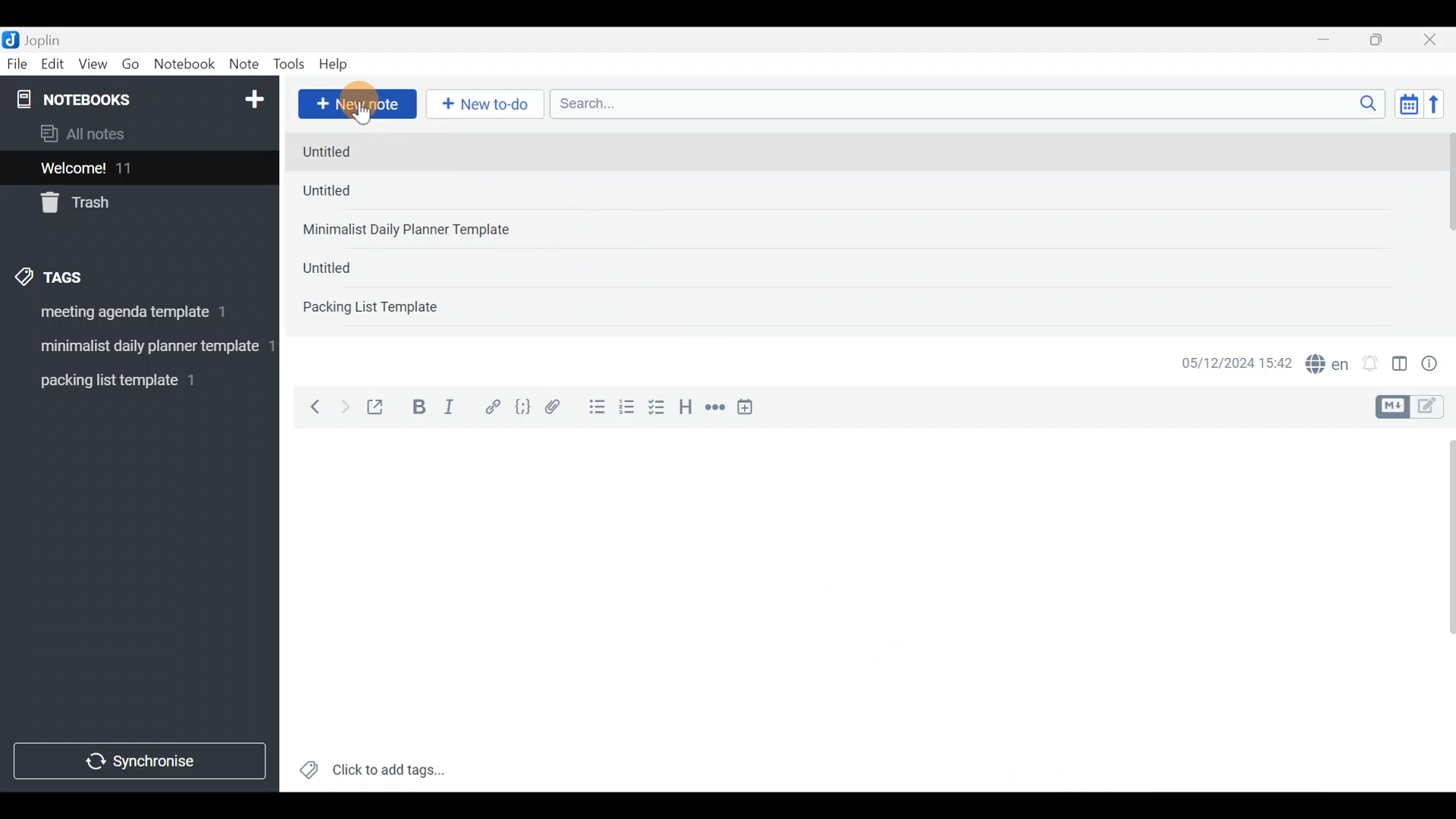 The image size is (1456, 819). I want to click on Welcome!, so click(137, 169).